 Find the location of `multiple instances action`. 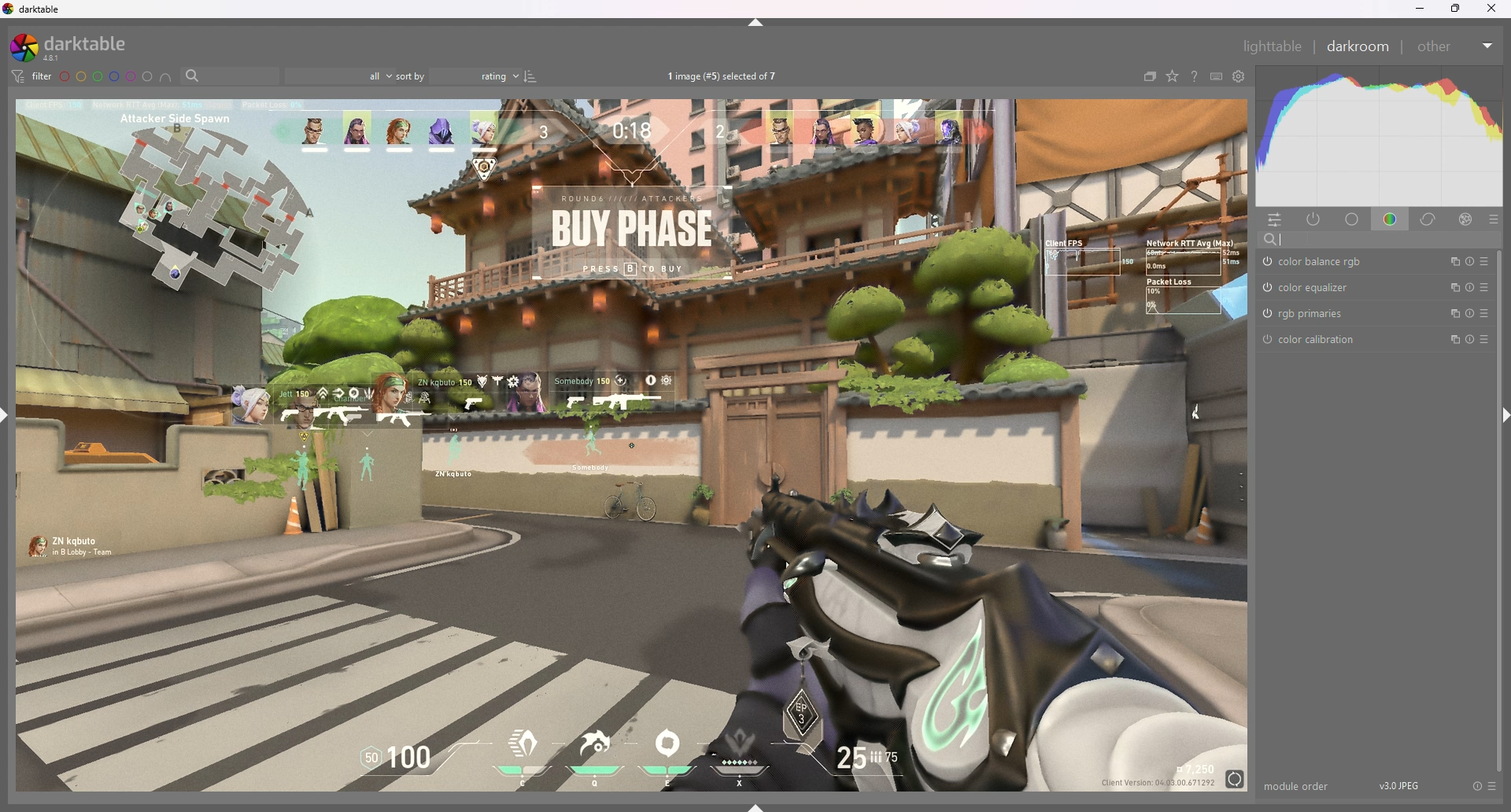

multiple instances action is located at coordinates (1452, 339).